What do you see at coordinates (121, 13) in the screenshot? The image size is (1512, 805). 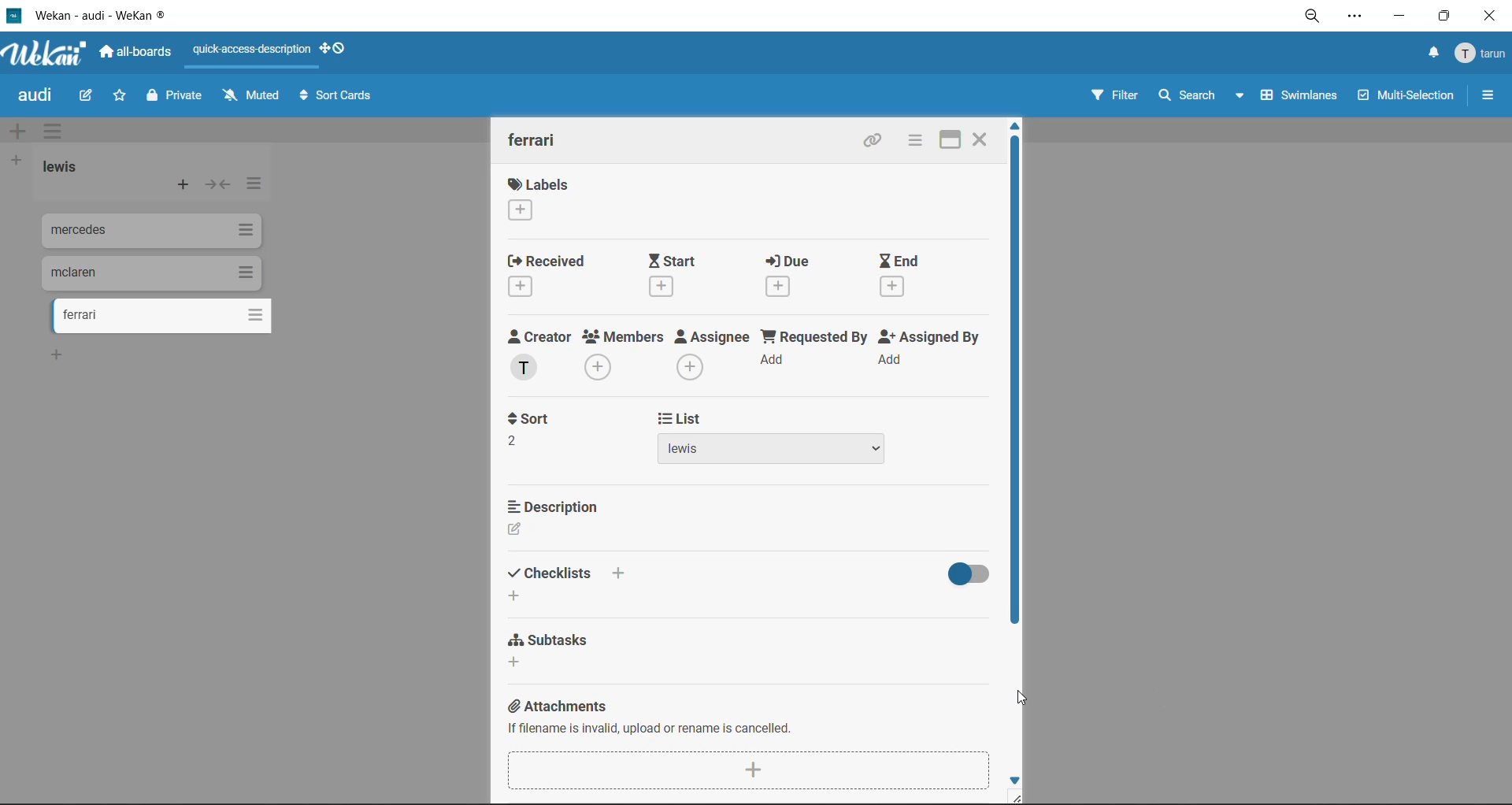 I see `app title` at bounding box center [121, 13].